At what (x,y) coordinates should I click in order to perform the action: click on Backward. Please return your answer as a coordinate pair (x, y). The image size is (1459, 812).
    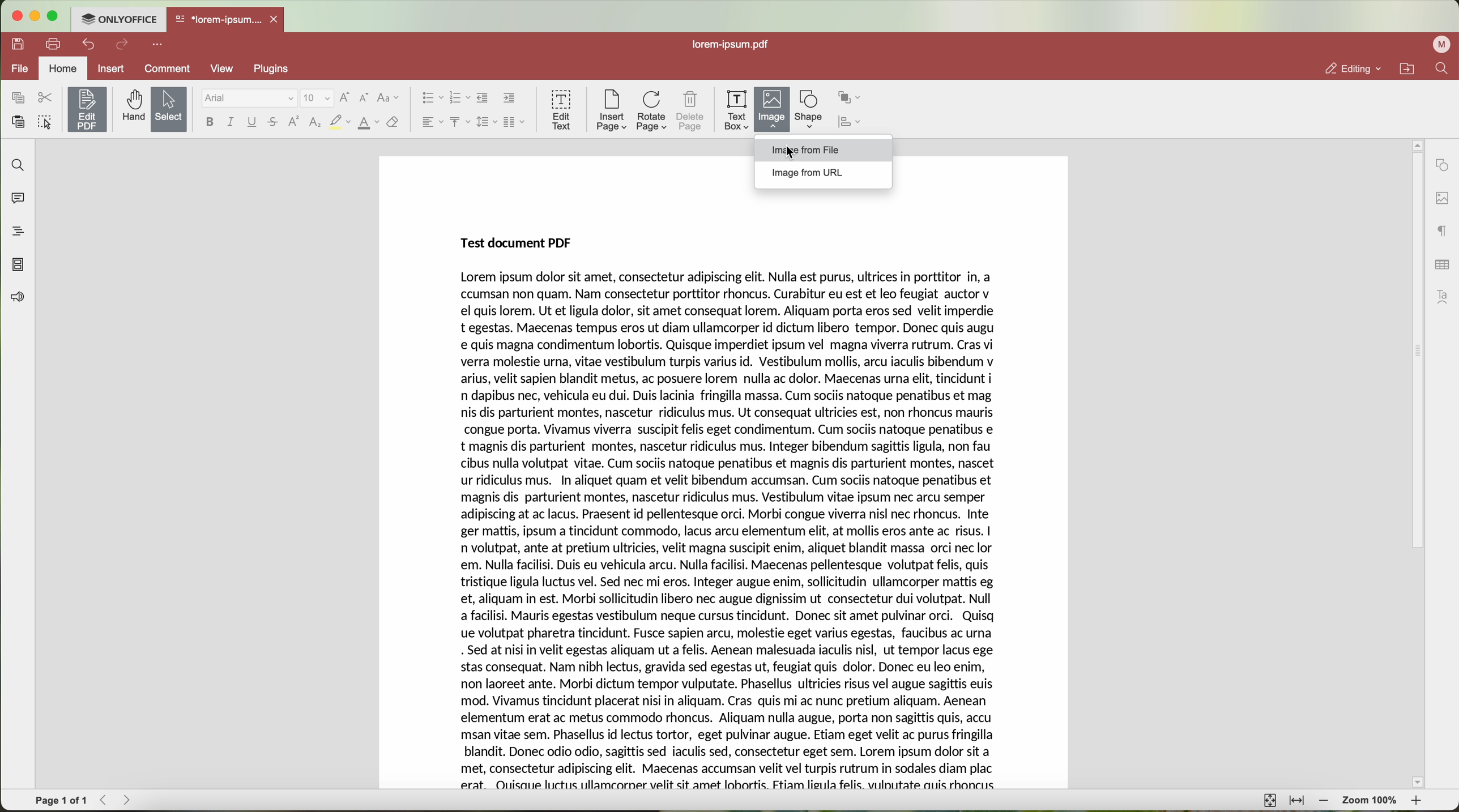
    Looking at the image, I should click on (107, 800).